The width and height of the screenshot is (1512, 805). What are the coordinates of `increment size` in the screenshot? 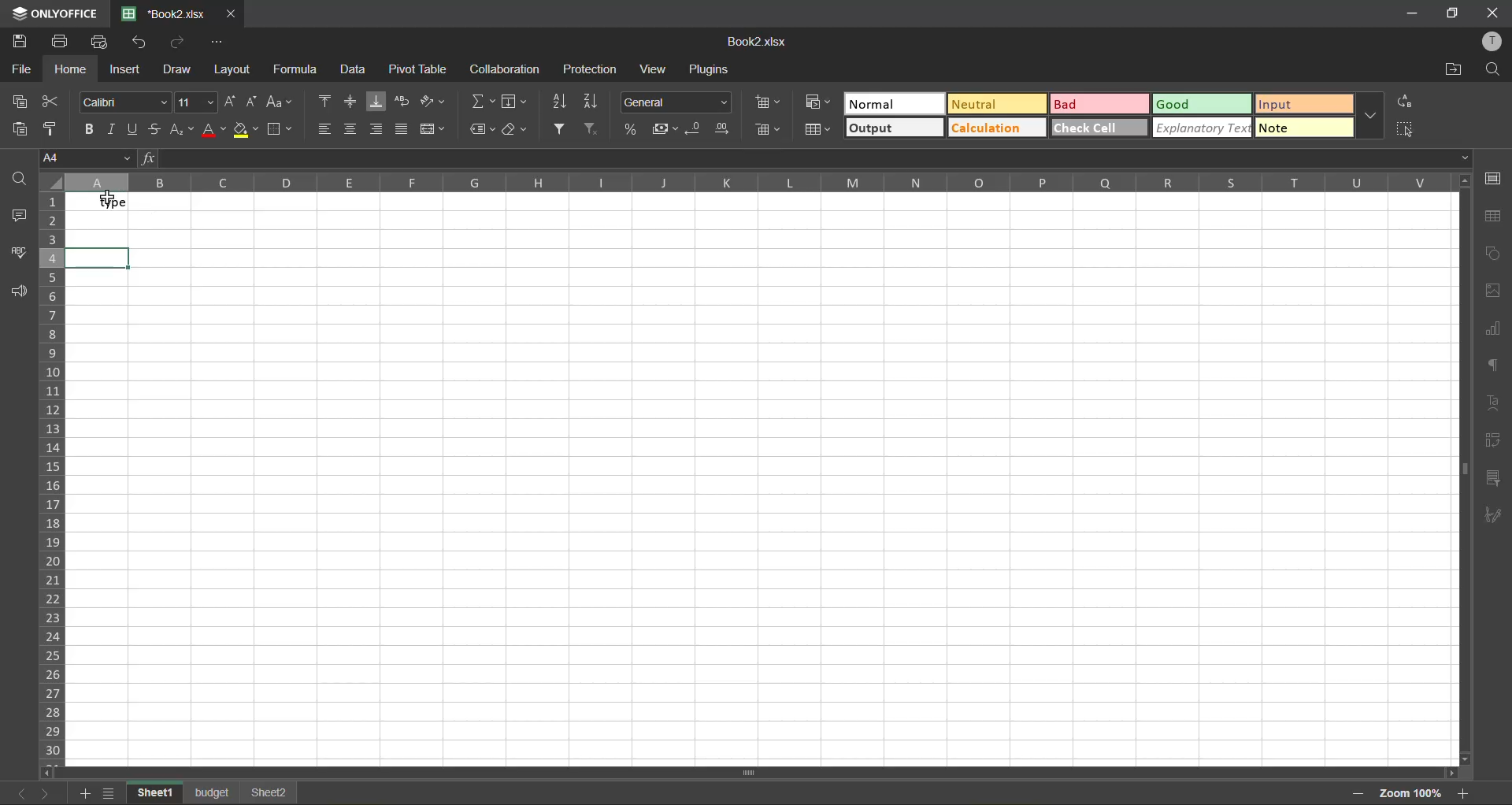 It's located at (229, 102).